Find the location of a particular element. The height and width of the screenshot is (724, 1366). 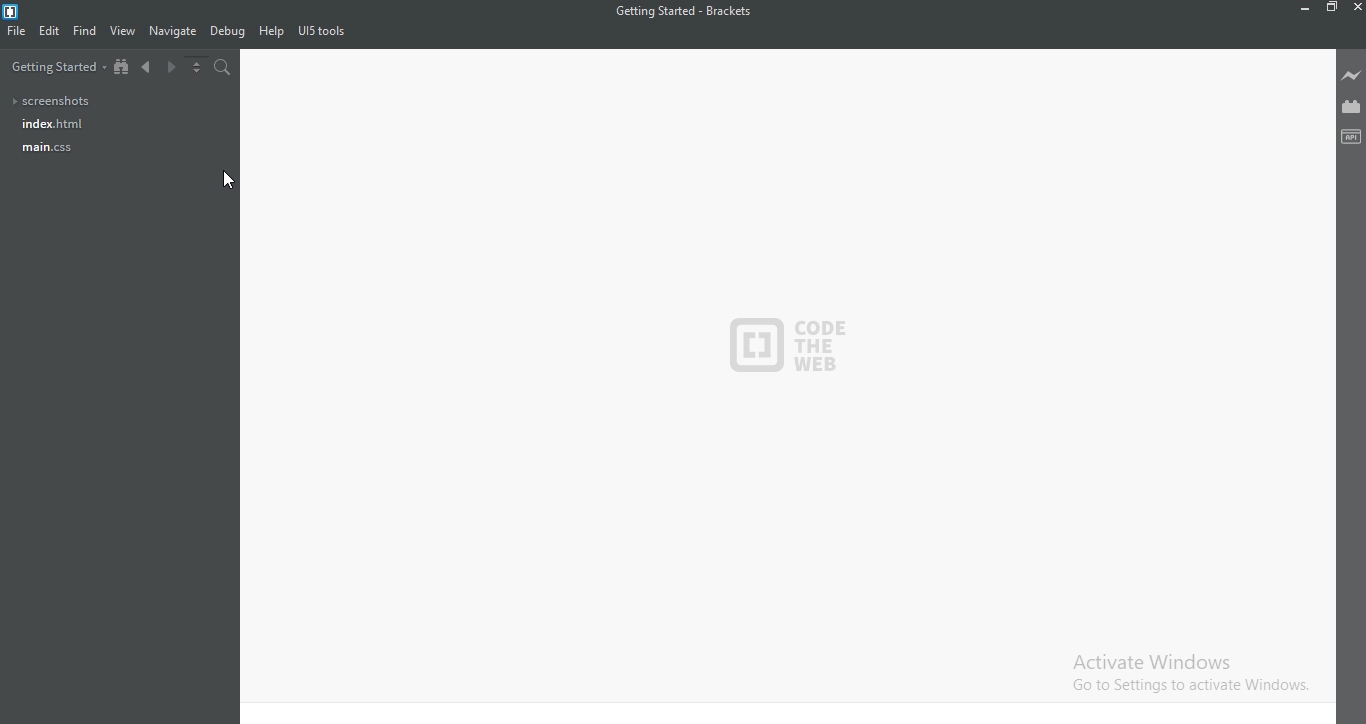

Debug is located at coordinates (228, 32).